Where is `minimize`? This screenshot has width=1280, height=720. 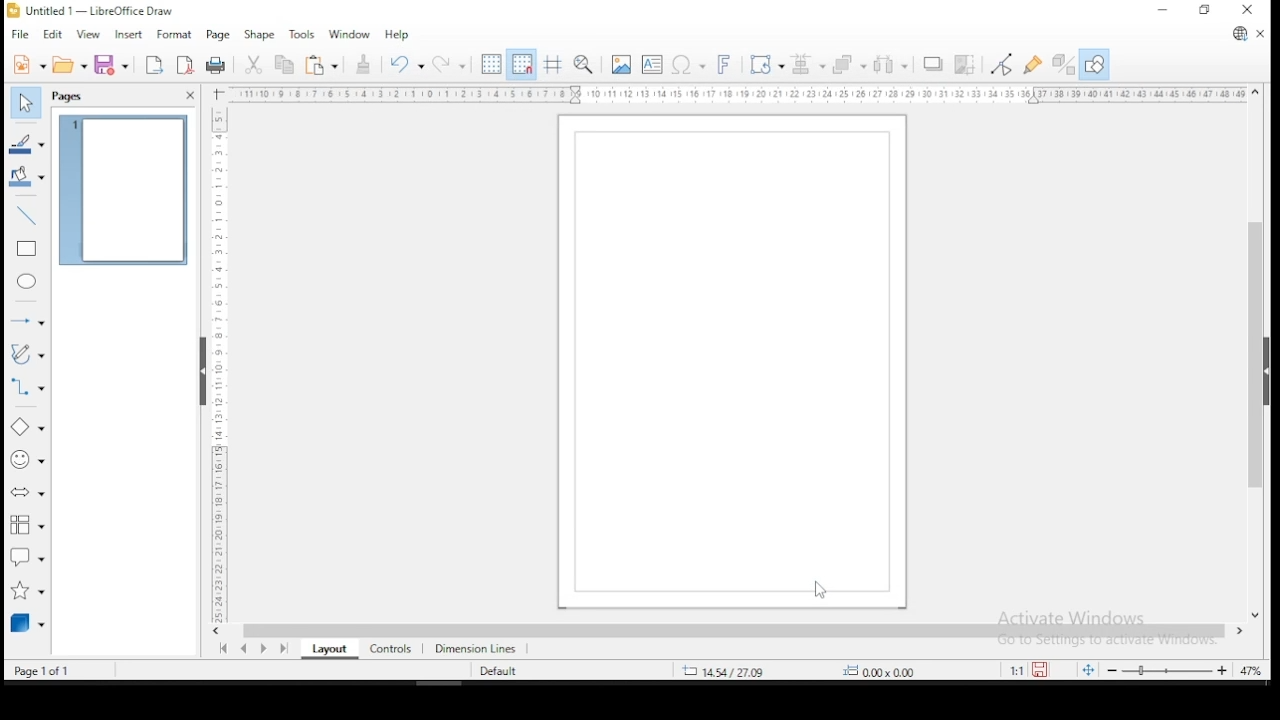
minimize is located at coordinates (1163, 10).